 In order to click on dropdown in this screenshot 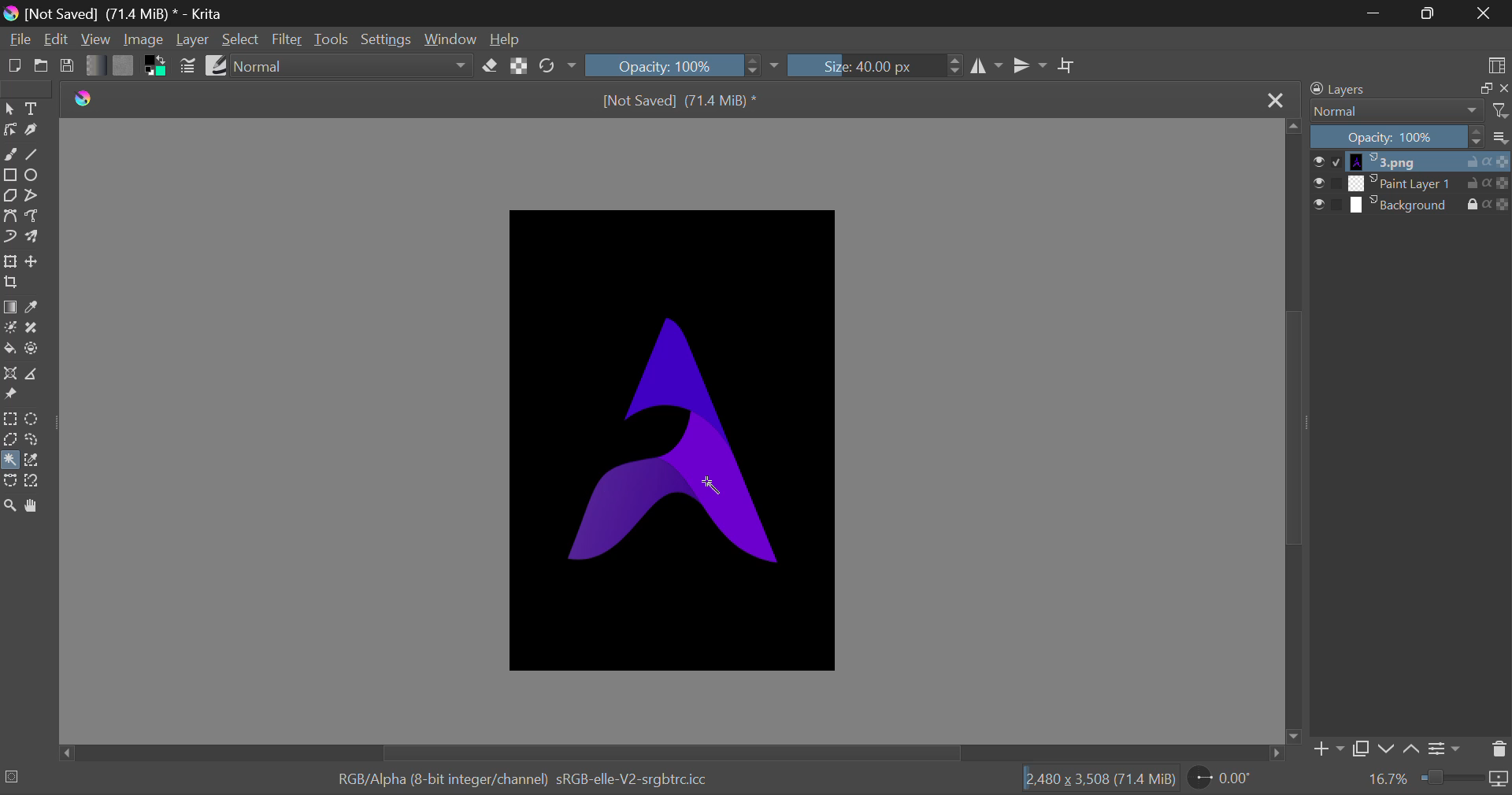, I will do `click(775, 65)`.